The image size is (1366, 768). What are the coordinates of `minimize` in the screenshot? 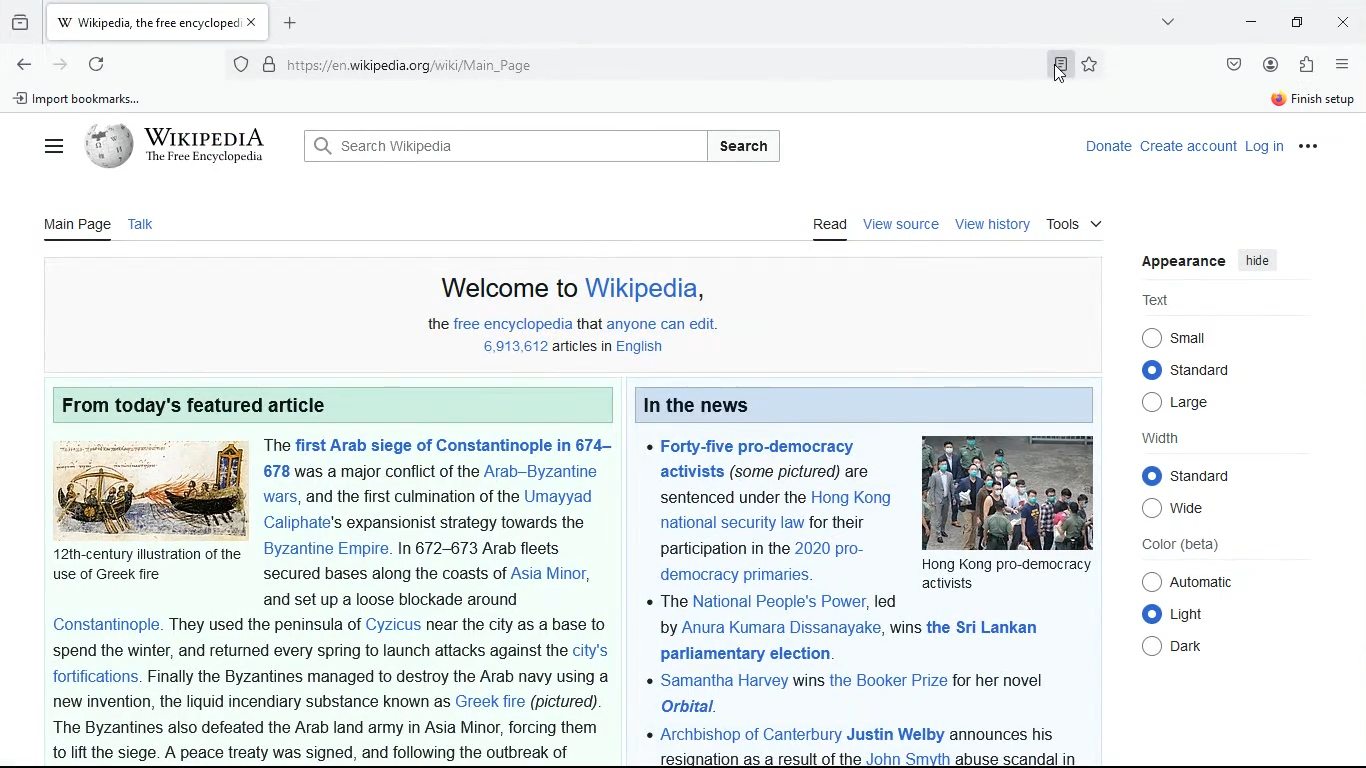 It's located at (1247, 22).